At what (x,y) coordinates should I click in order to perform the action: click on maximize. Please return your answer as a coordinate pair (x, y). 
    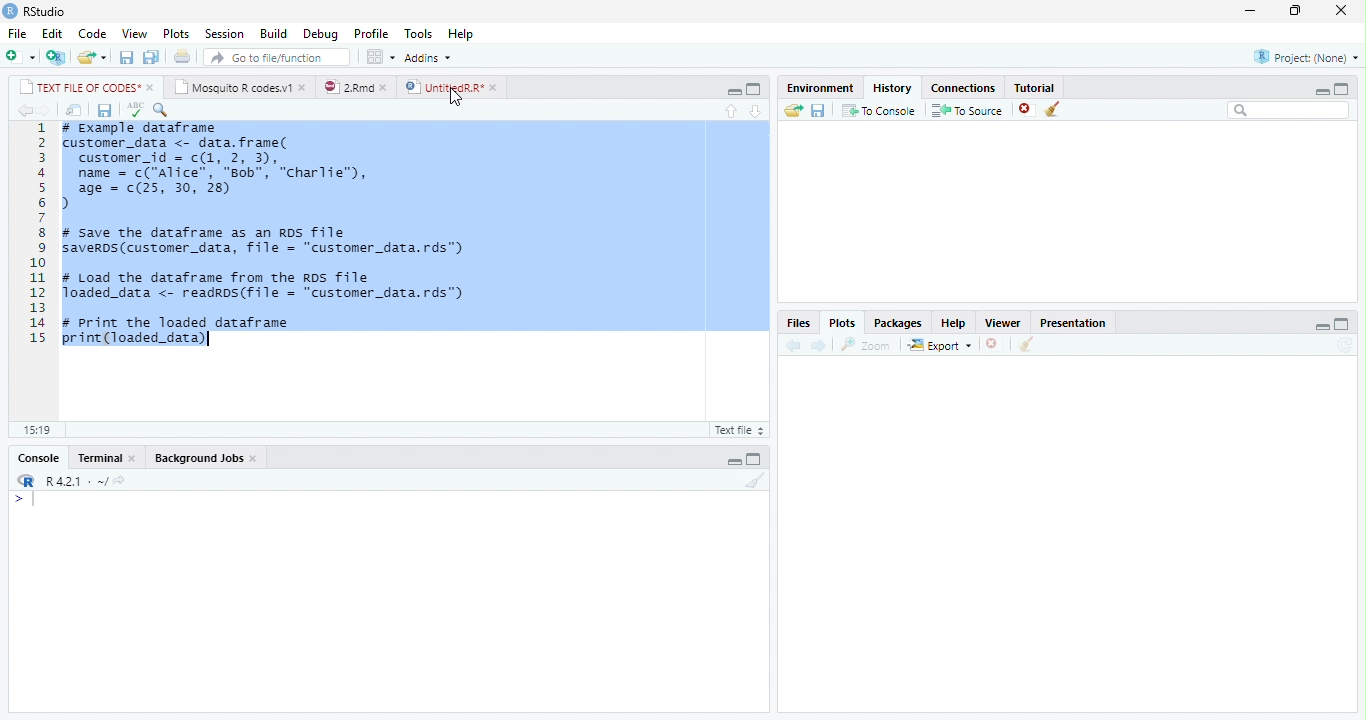
    Looking at the image, I should click on (753, 89).